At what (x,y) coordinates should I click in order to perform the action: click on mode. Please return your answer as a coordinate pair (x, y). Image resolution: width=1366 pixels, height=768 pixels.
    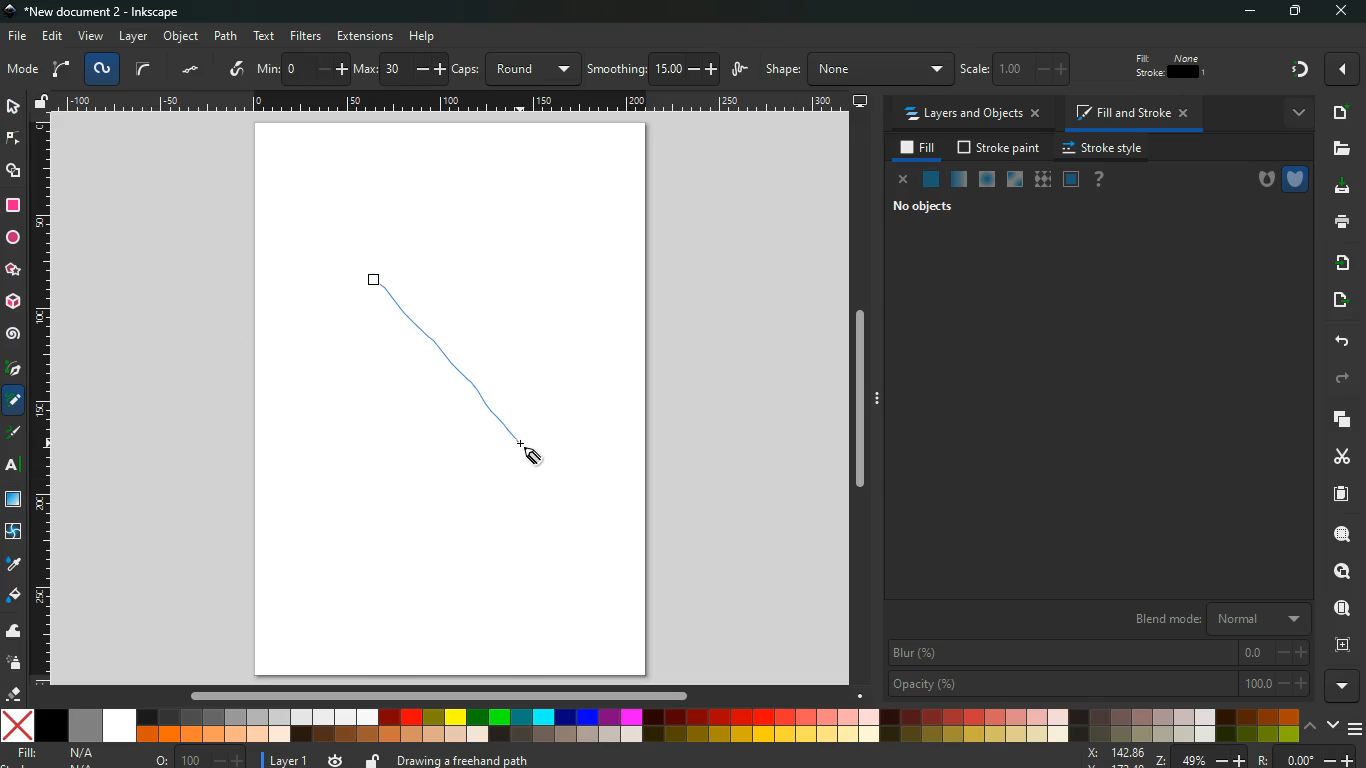
    Looking at the image, I should click on (23, 71).